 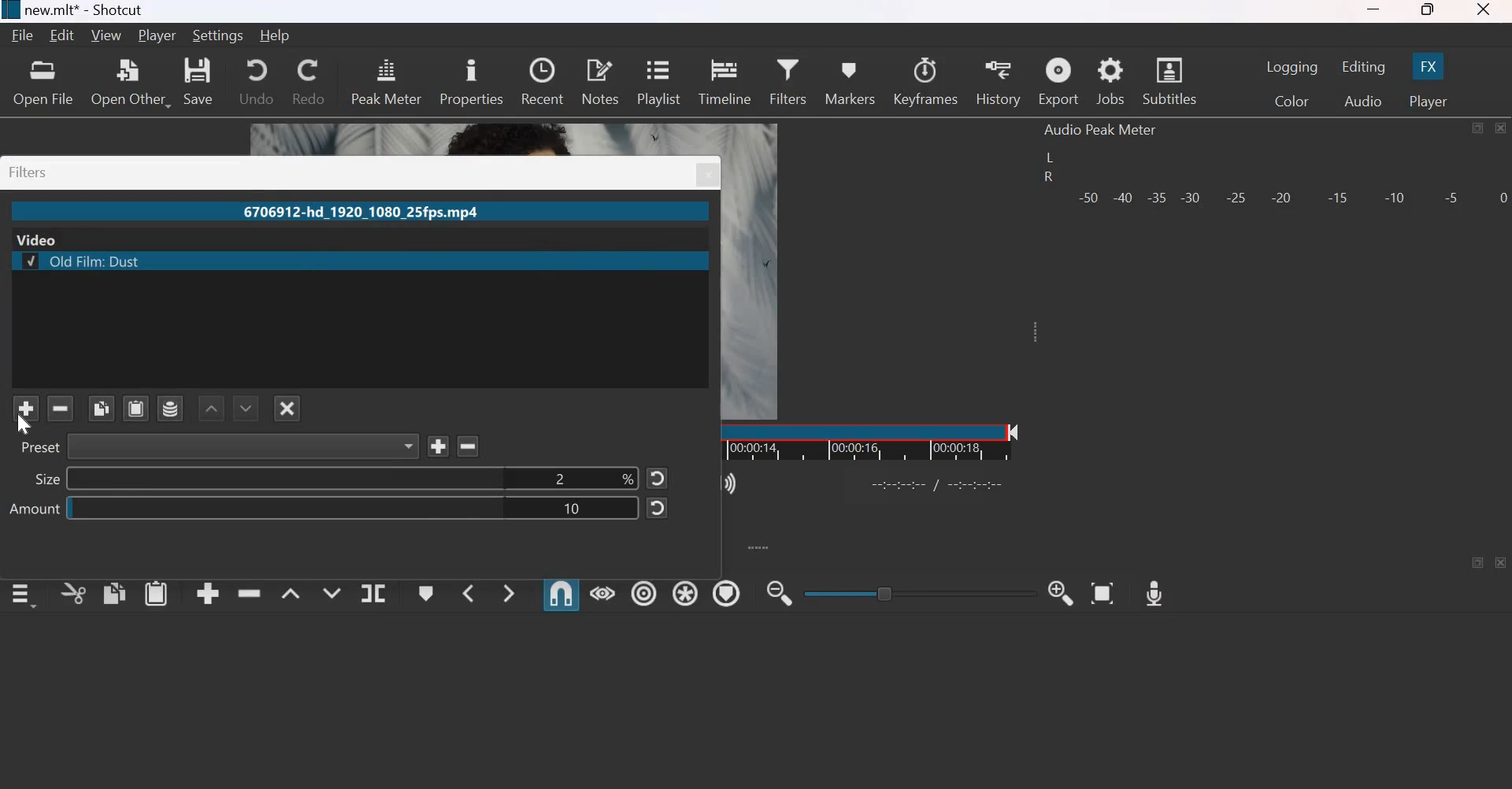 I want to click on remove selected filter, so click(x=61, y=408).